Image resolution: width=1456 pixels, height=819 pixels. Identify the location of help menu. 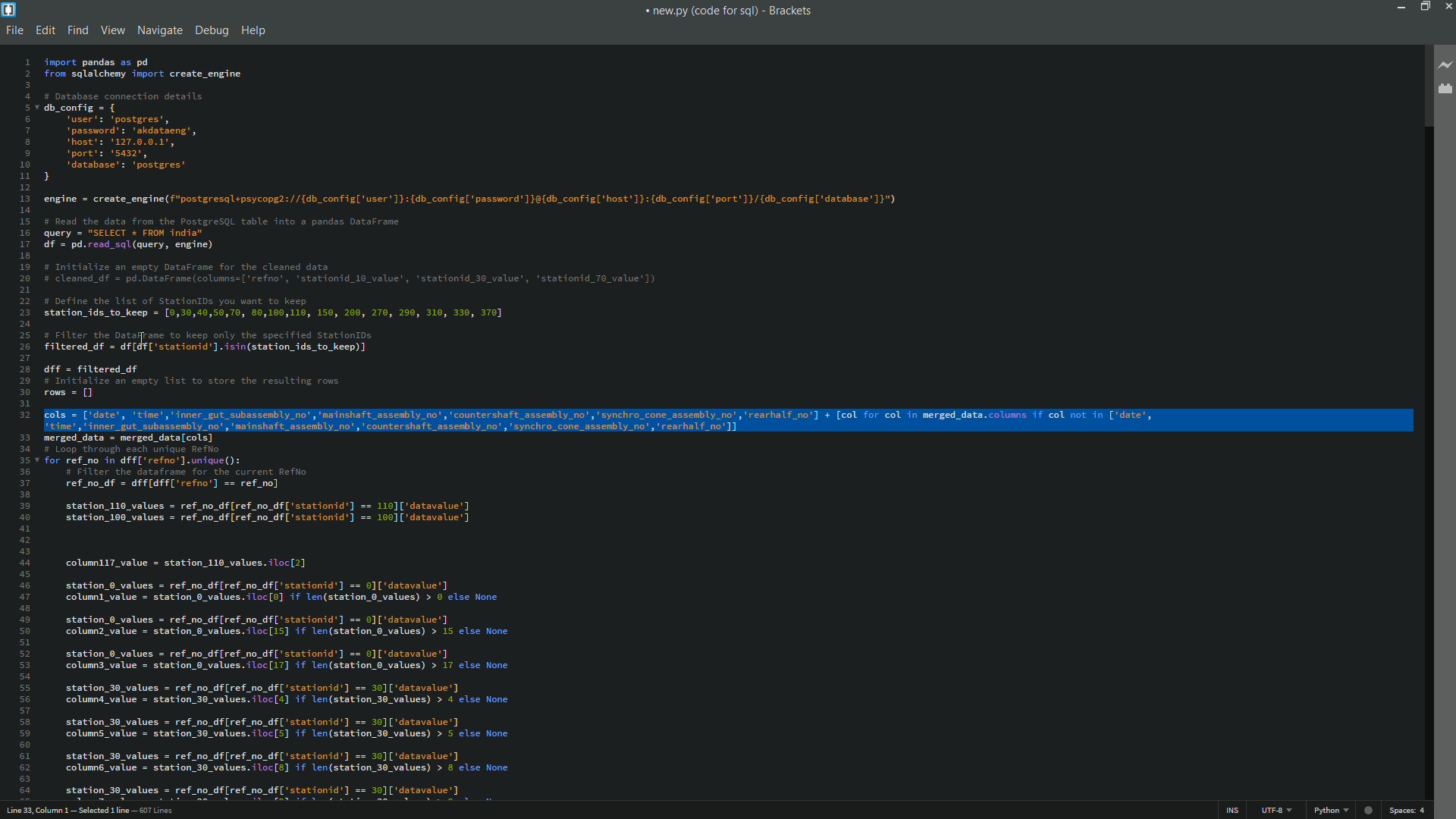
(256, 32).